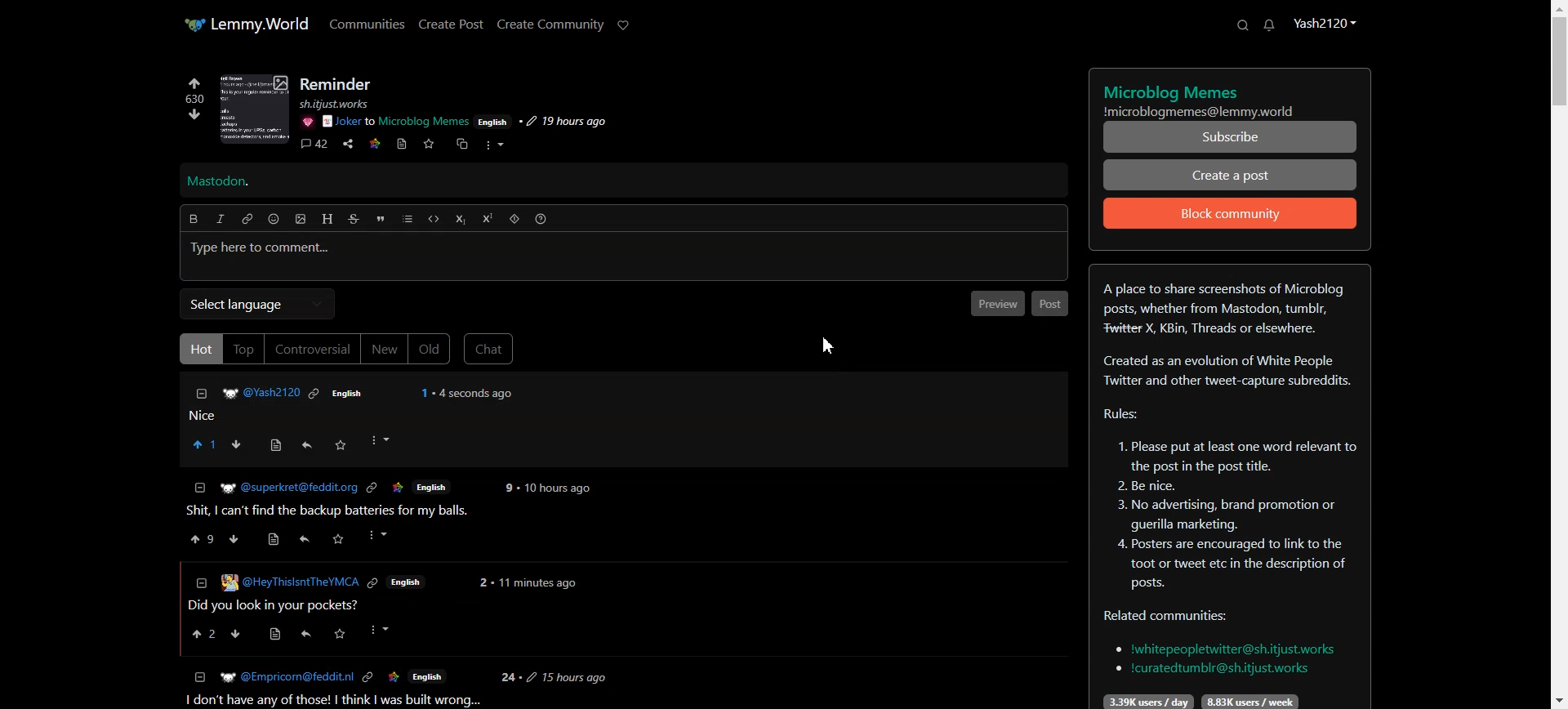 This screenshot has width=1568, height=709. Describe the element at coordinates (541, 219) in the screenshot. I see `Formatting help` at that location.